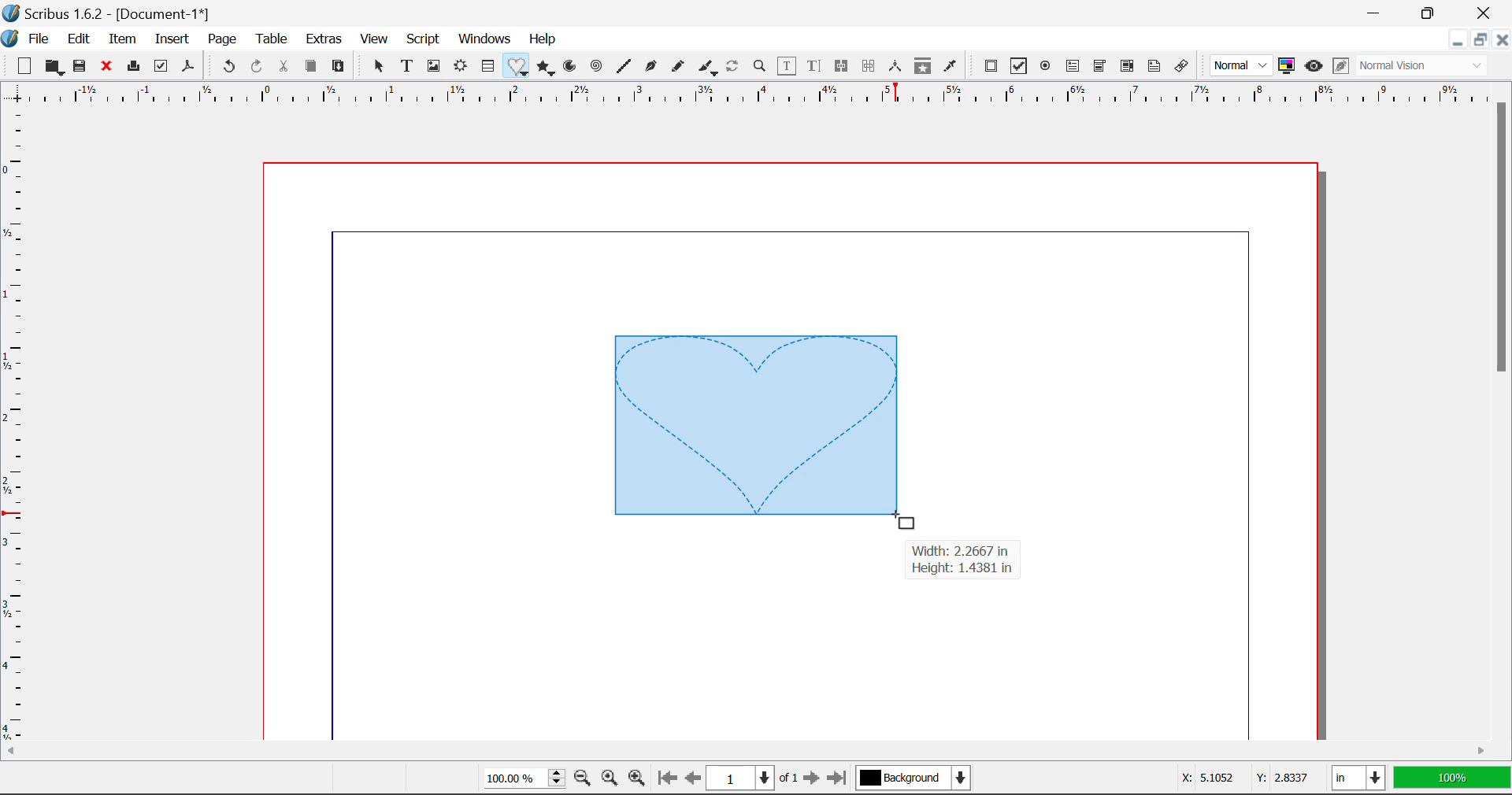 This screenshot has height=795, width=1512. What do you see at coordinates (1153, 67) in the screenshot?
I see `Text Annotation` at bounding box center [1153, 67].